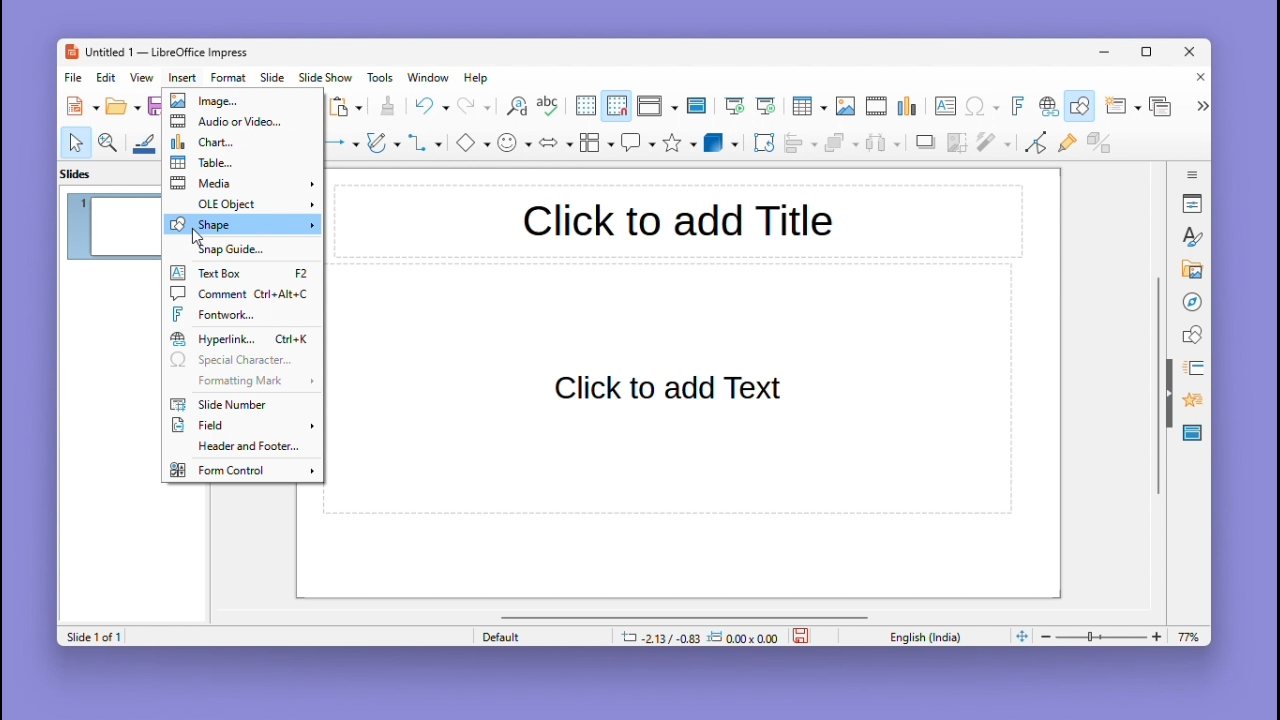 The height and width of the screenshot is (720, 1280). I want to click on Snap GUIDE, so click(237, 249).